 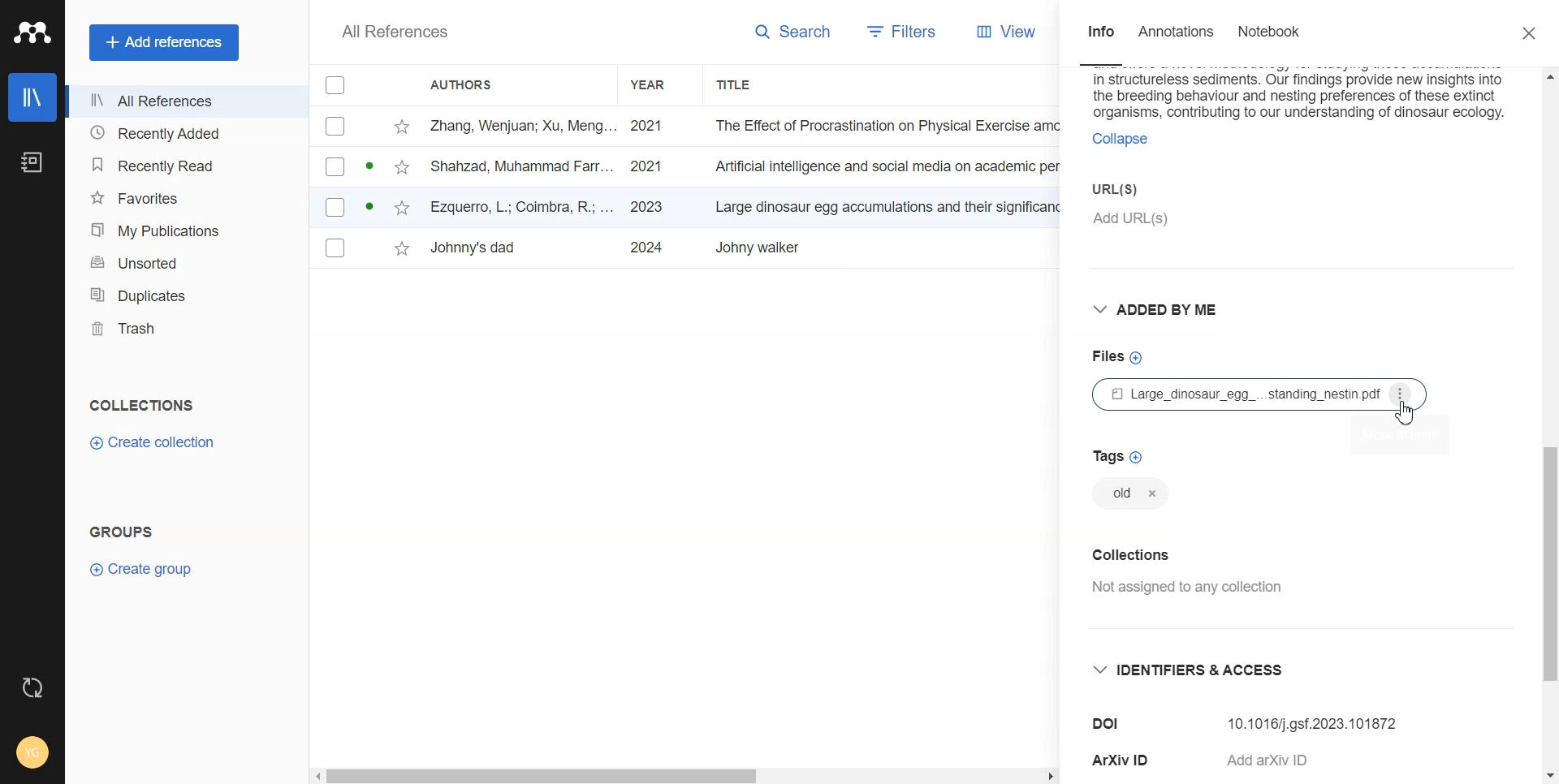 I want to click on Info, so click(x=1099, y=33).